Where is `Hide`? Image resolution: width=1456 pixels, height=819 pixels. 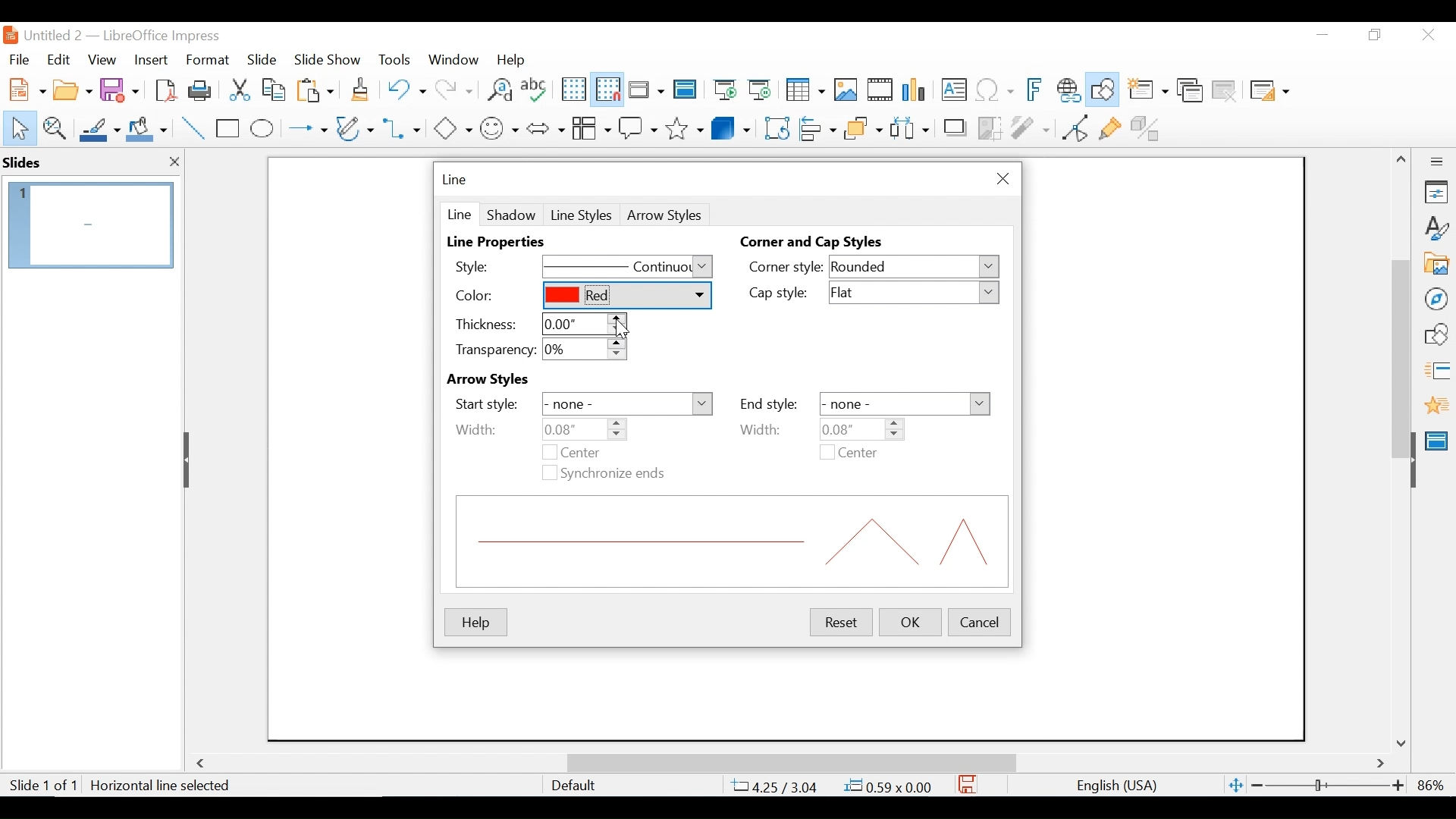
Hide is located at coordinates (189, 460).